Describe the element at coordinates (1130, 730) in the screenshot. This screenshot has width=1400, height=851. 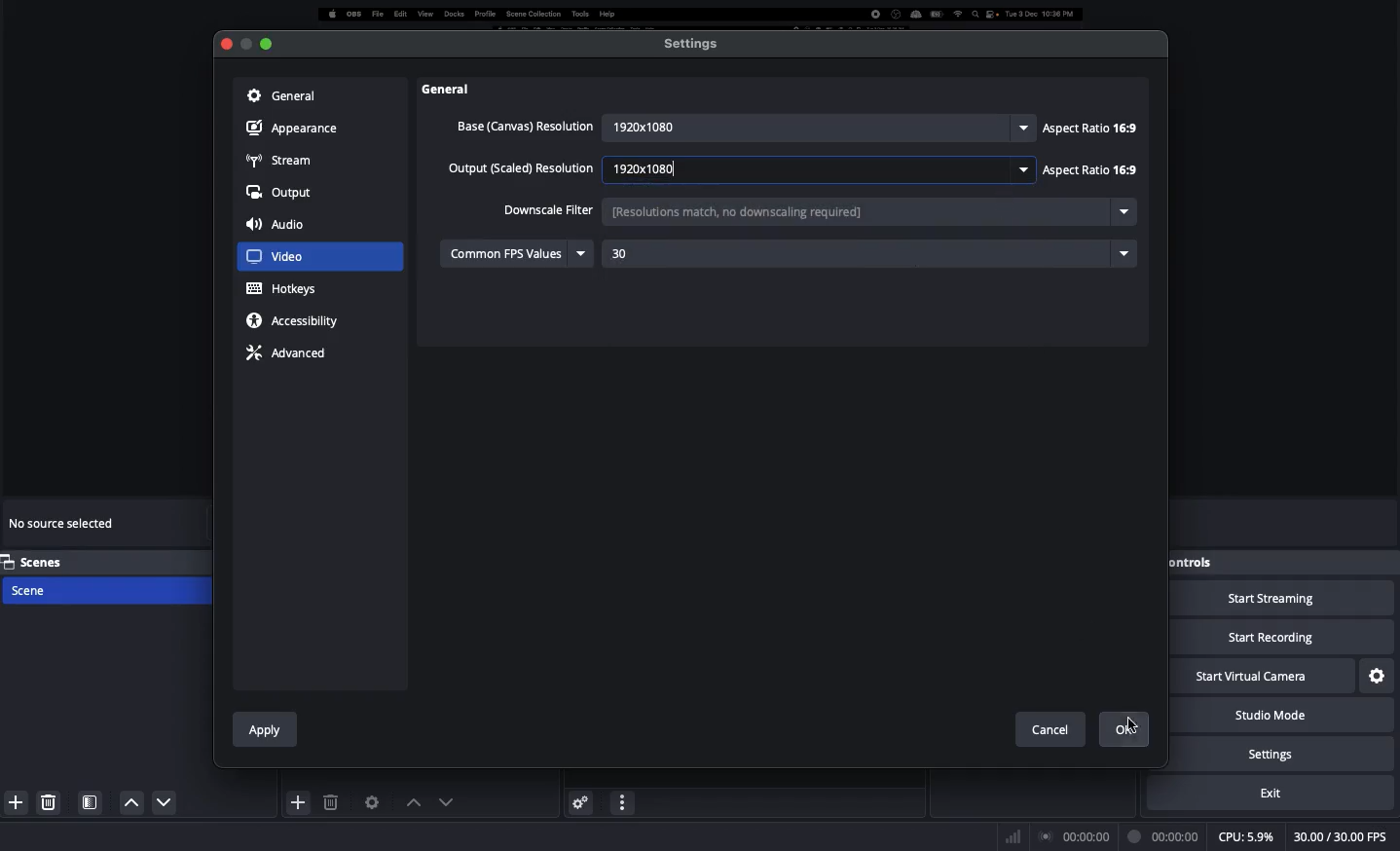
I see `Ok` at that location.